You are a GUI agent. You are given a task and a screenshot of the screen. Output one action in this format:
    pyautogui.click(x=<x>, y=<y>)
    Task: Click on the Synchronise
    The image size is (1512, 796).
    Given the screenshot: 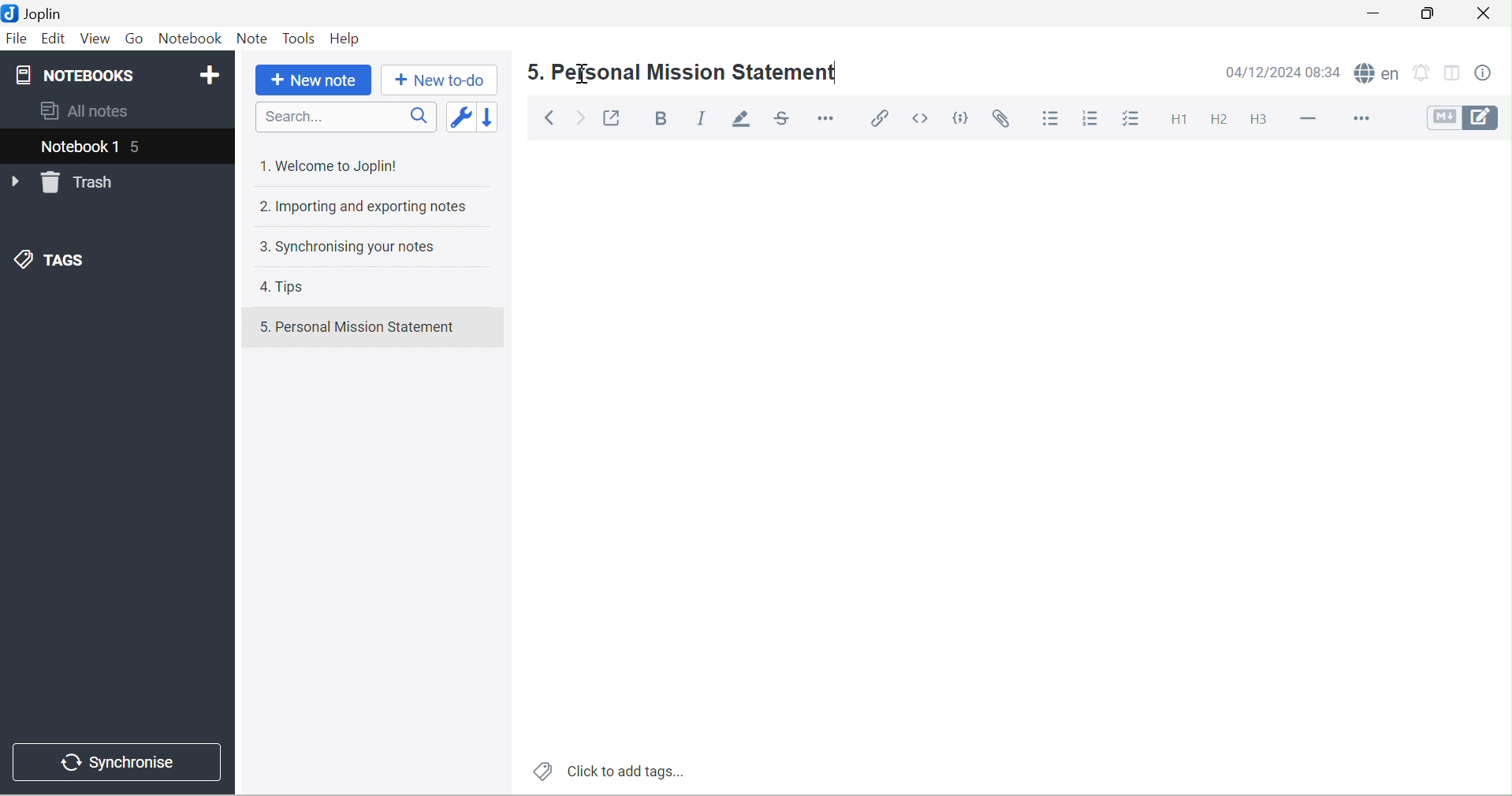 What is the action you would take?
    pyautogui.click(x=117, y=762)
    